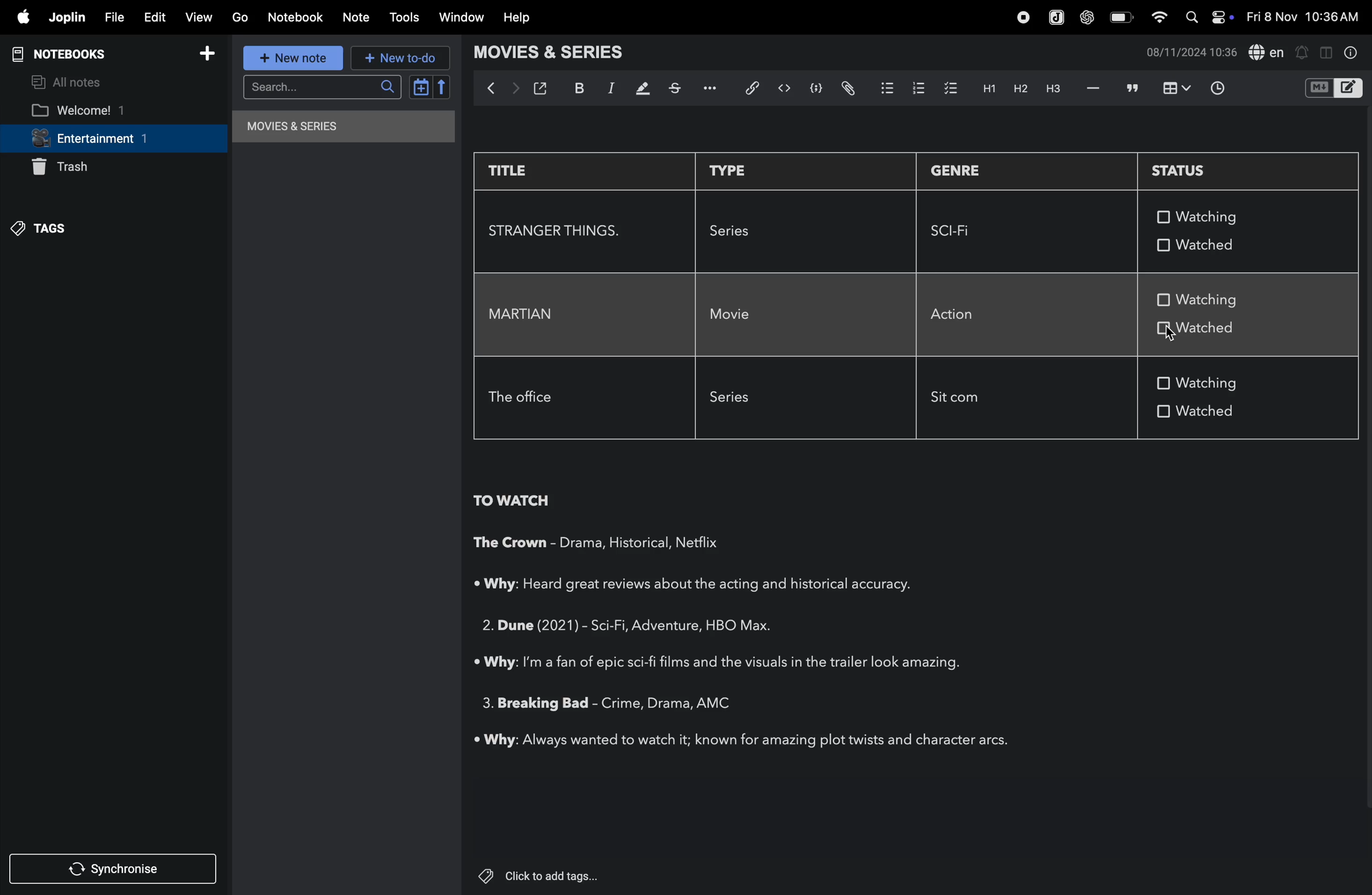 The image size is (1372, 895). I want to click on watching, so click(1211, 382).